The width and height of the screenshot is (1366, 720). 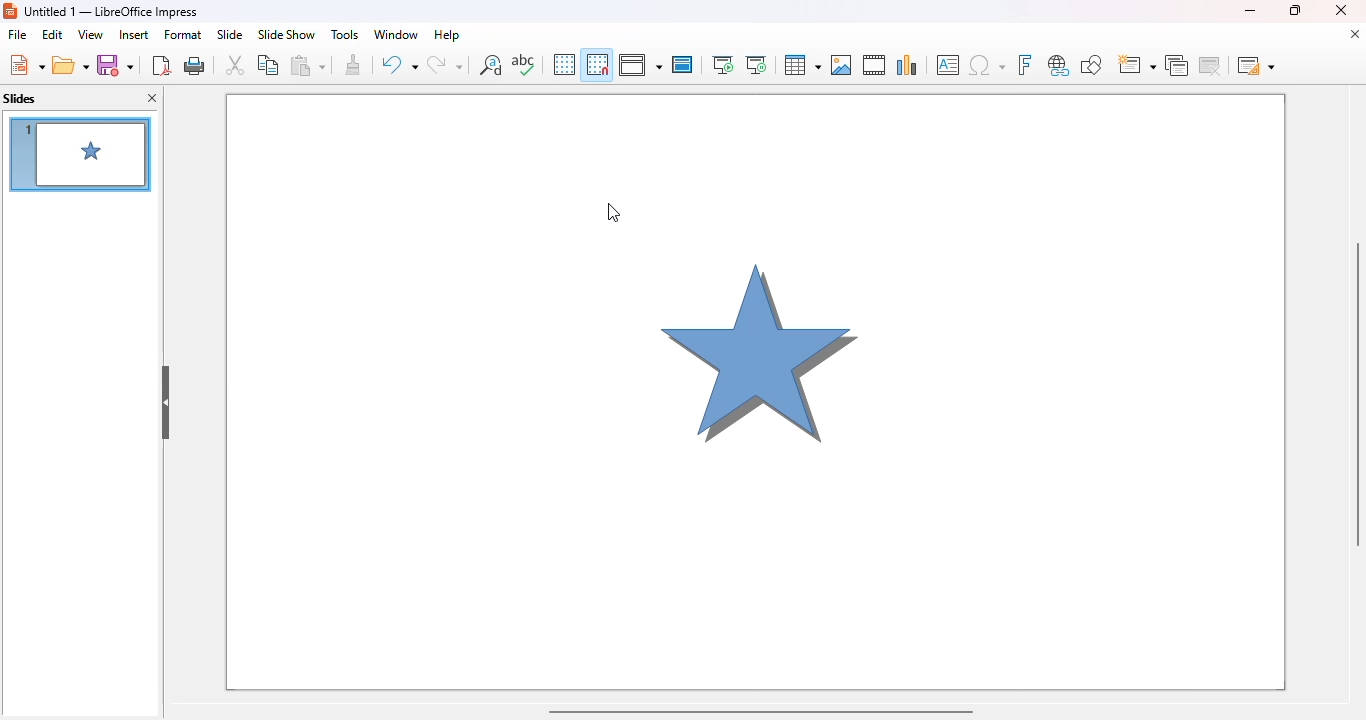 I want to click on slide preview changed to landscape in slides pane, so click(x=79, y=153).